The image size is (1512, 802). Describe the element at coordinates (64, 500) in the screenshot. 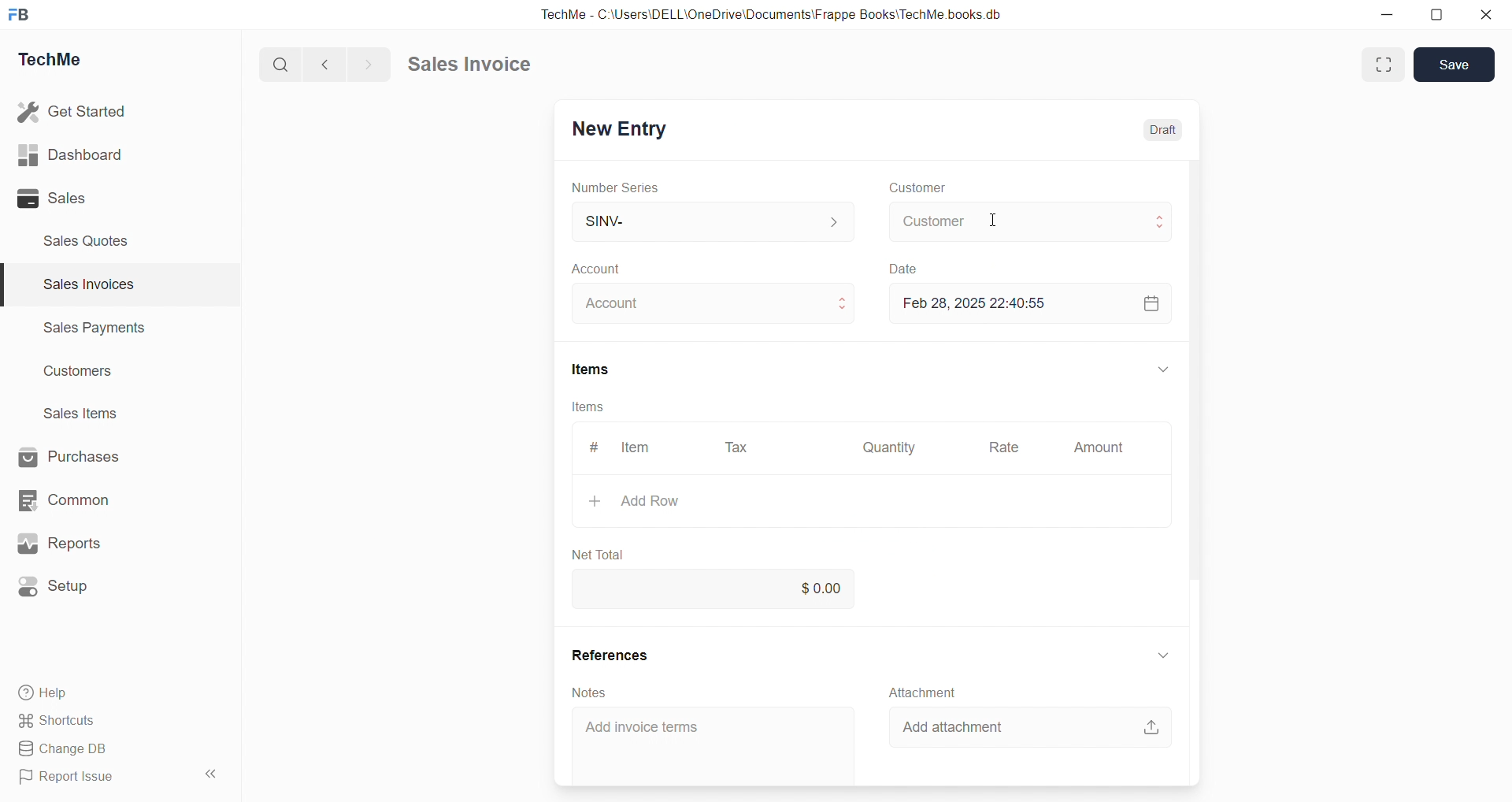

I see `Common` at that location.